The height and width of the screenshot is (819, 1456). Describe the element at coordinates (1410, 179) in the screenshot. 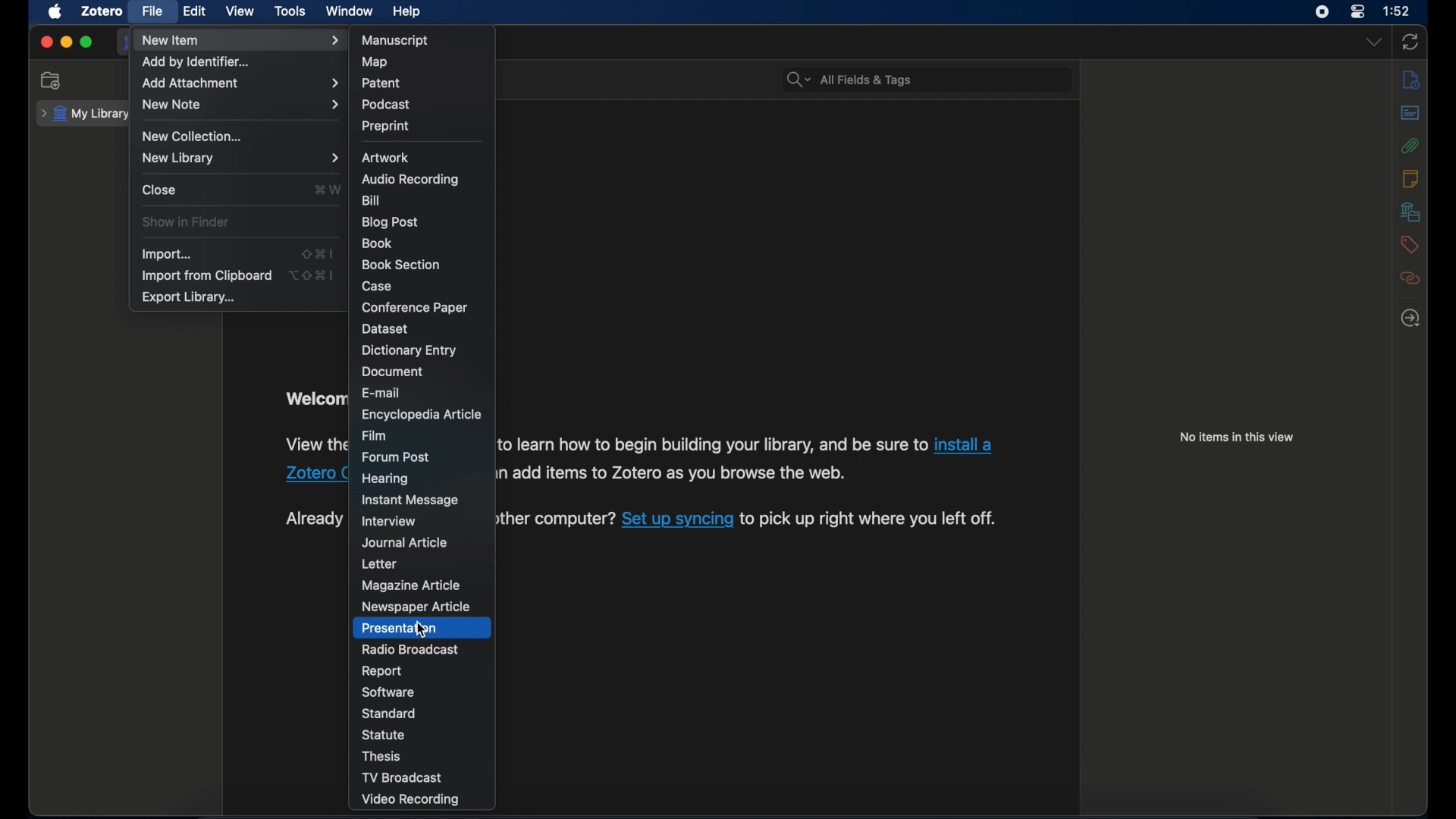

I see `notes` at that location.